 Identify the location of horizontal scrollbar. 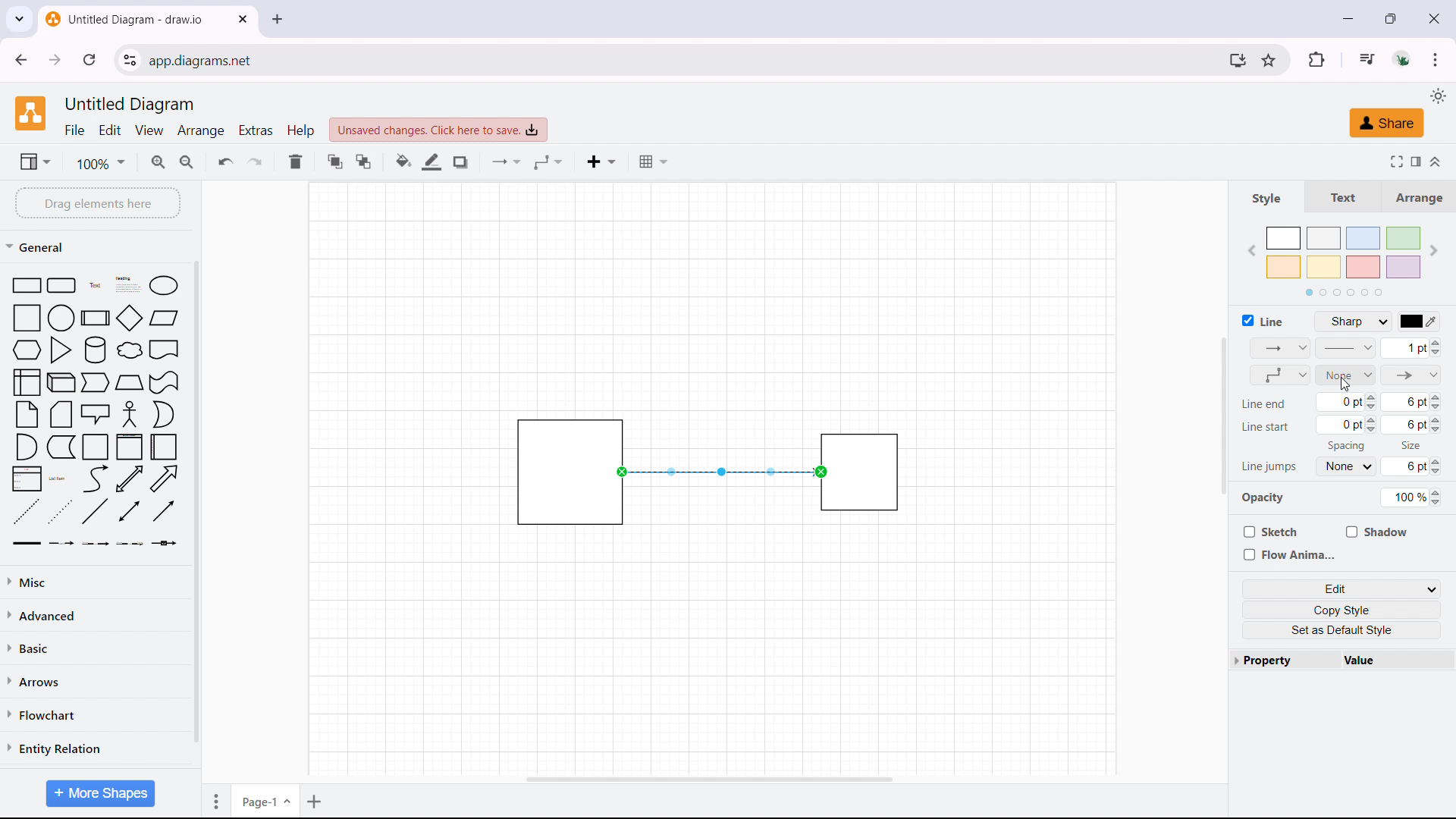
(710, 780).